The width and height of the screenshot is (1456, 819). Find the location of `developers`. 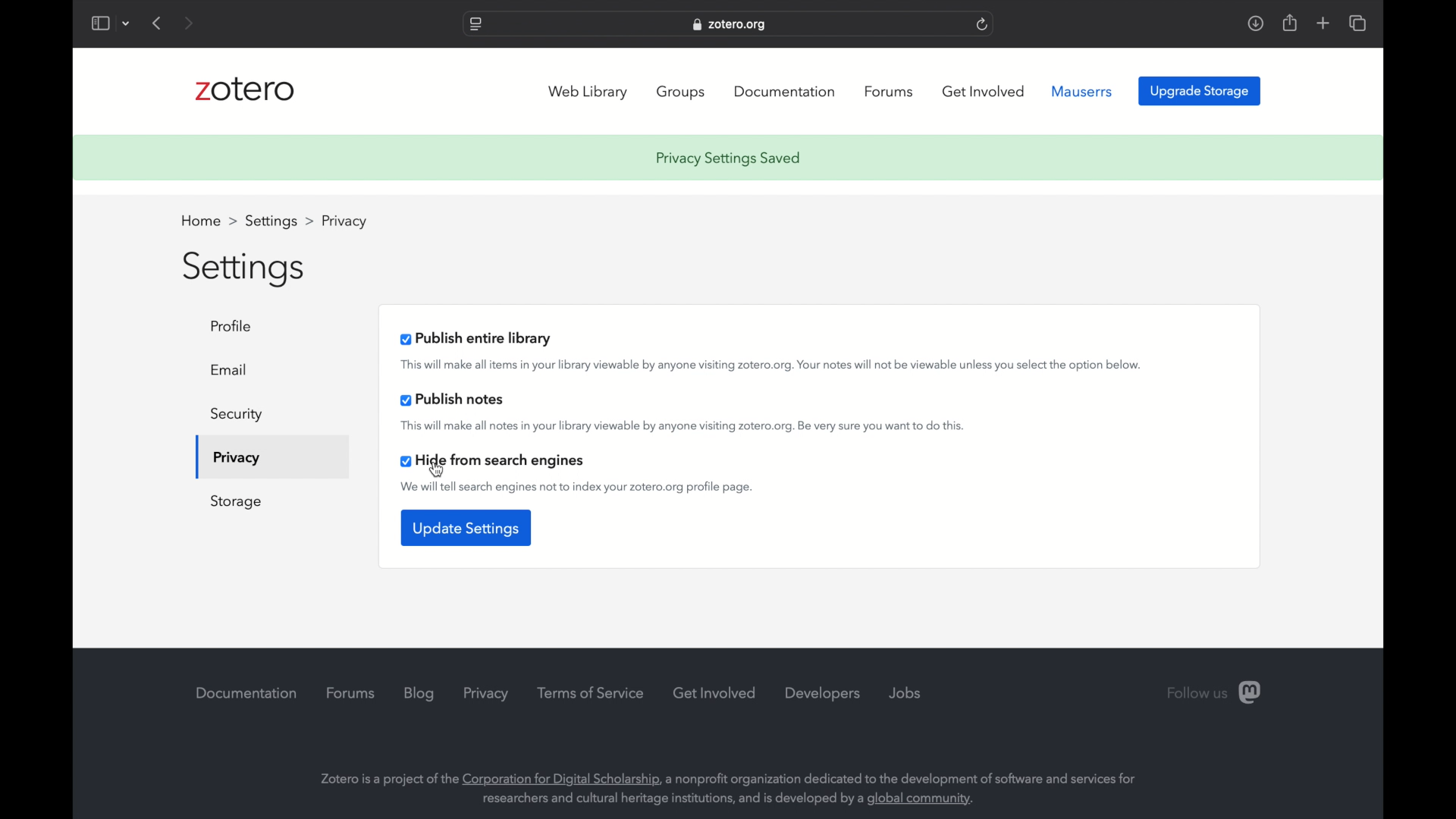

developers is located at coordinates (824, 694).